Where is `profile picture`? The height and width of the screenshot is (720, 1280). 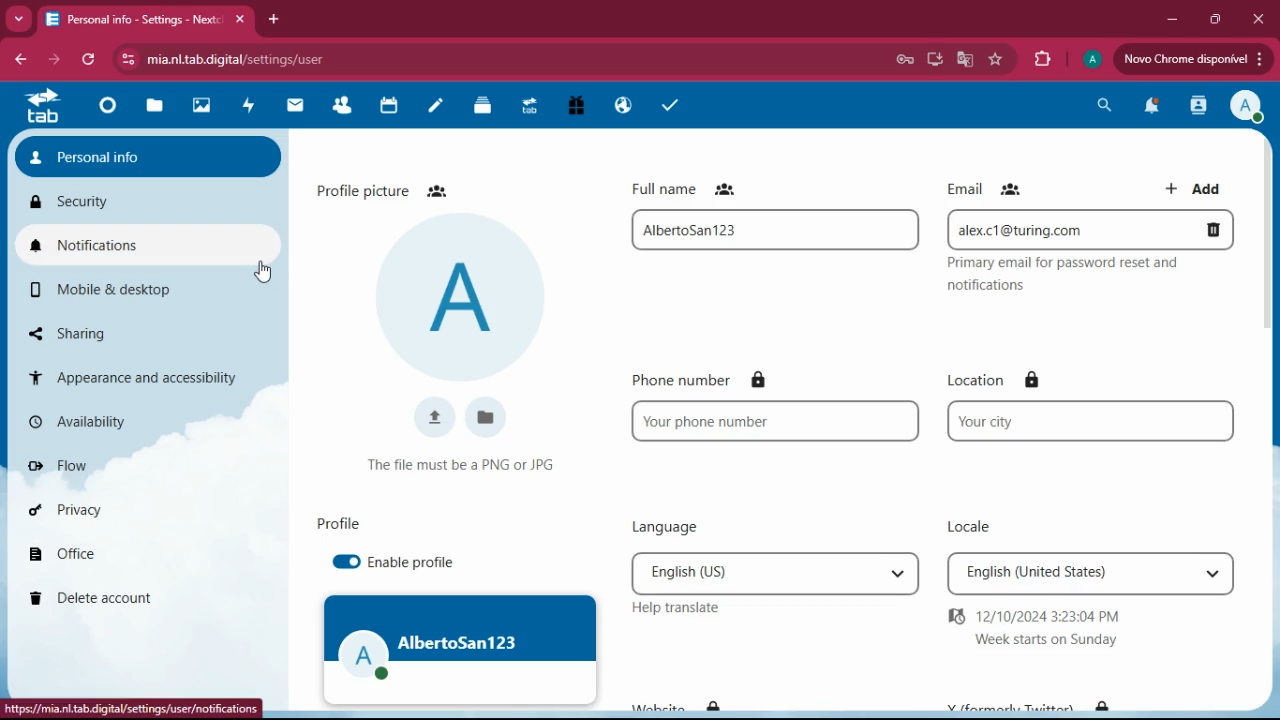 profile picture is located at coordinates (465, 298).